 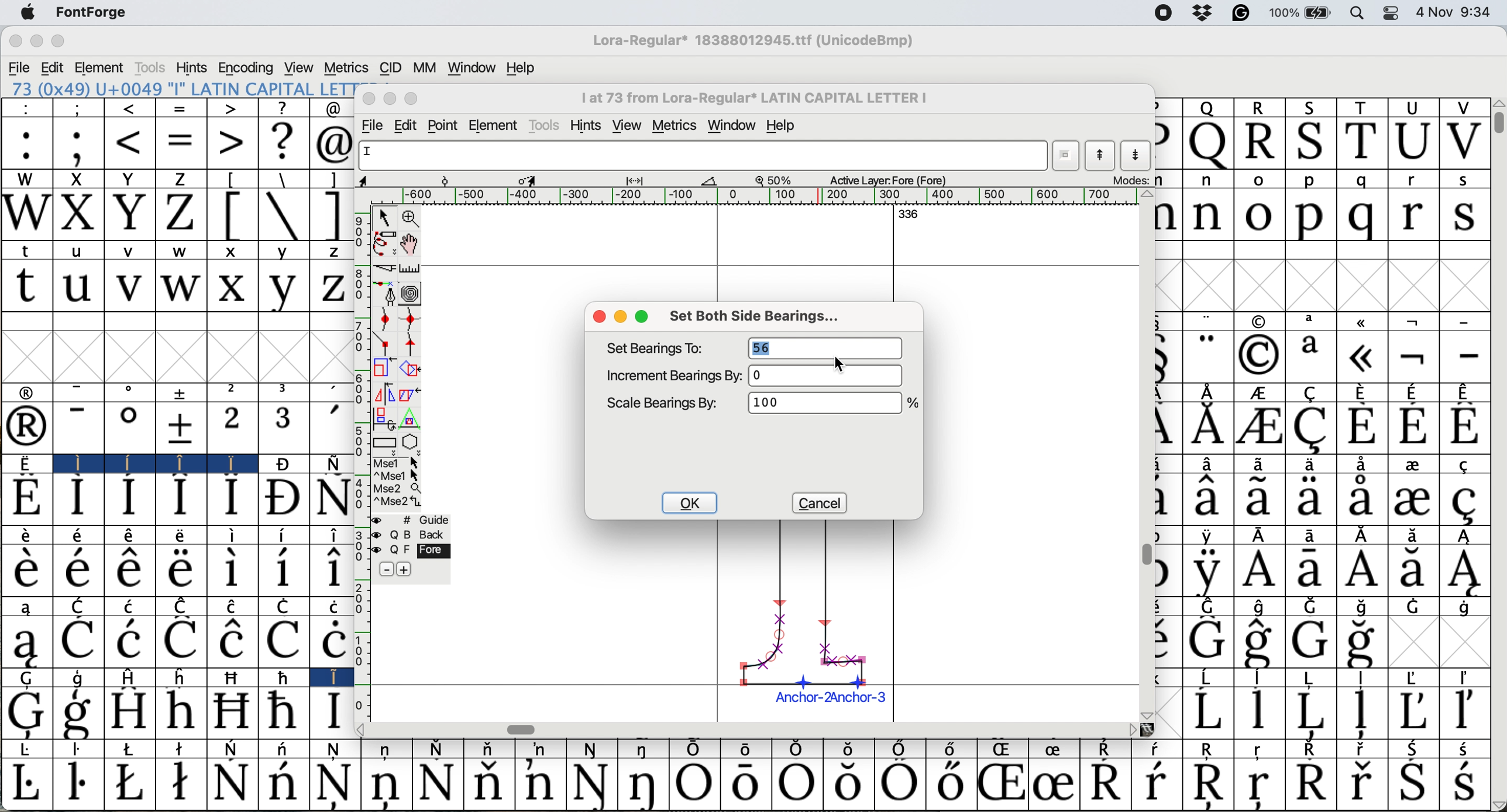 I want to click on point, so click(x=446, y=125).